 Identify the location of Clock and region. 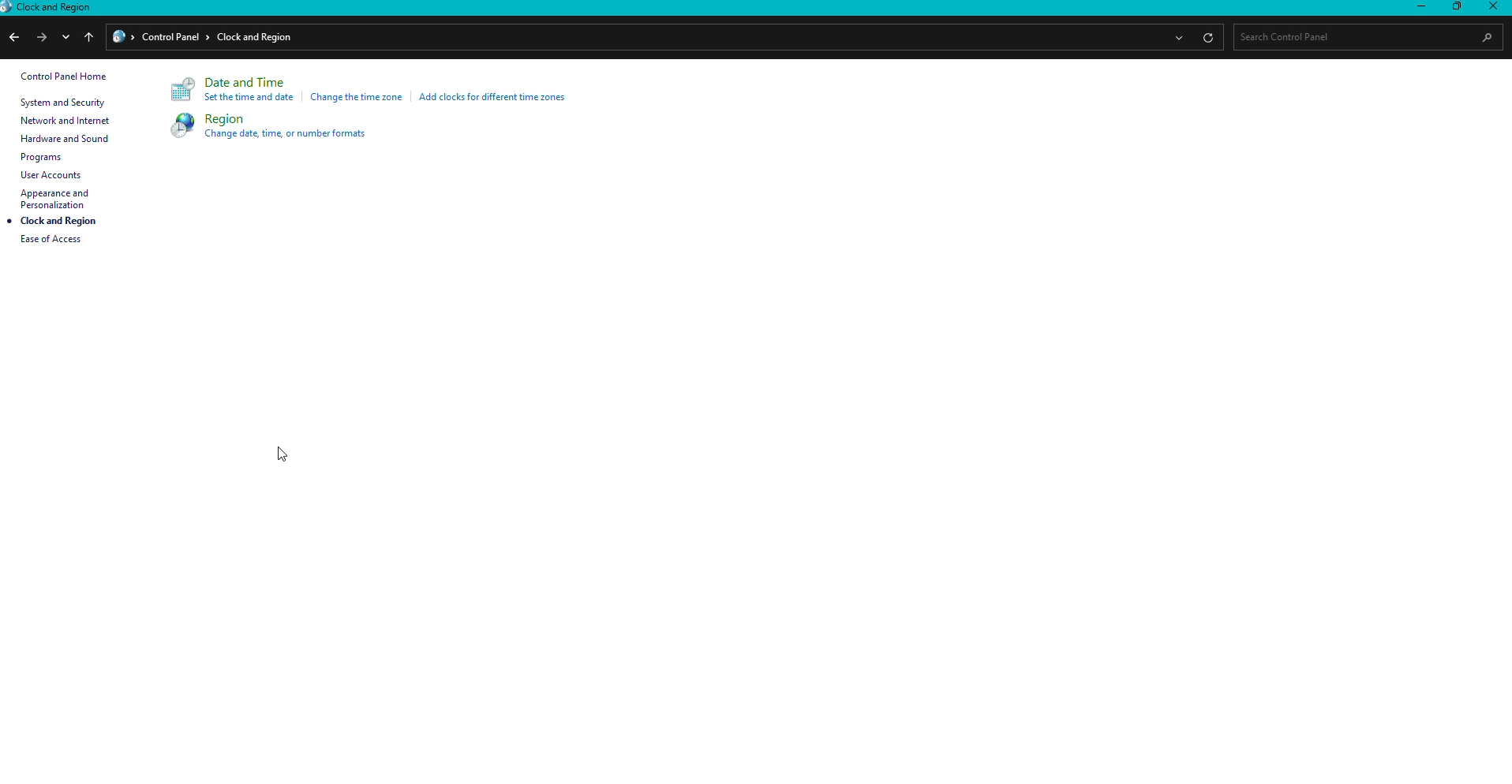
(60, 222).